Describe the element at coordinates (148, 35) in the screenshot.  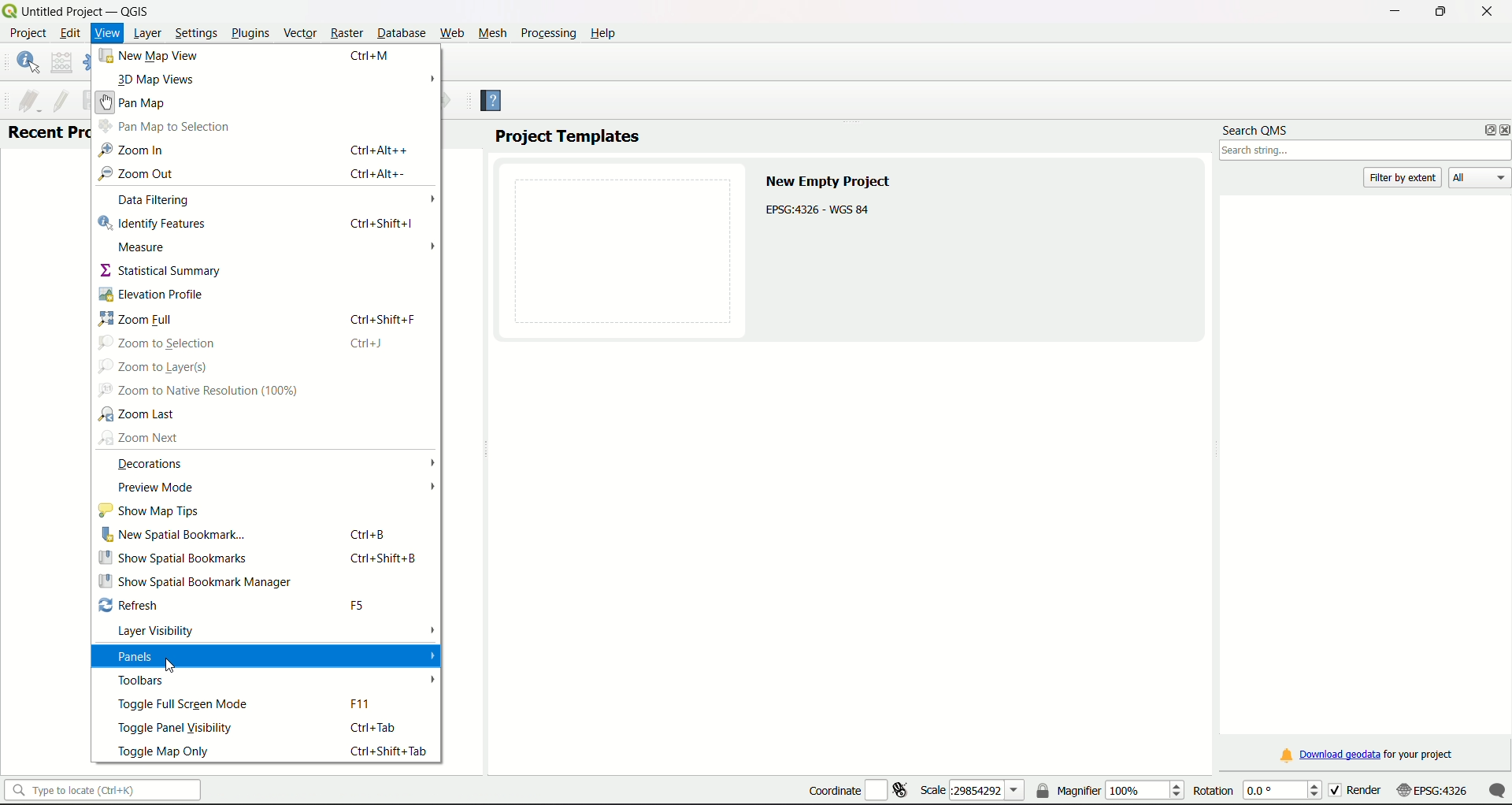
I see `Layer` at that location.